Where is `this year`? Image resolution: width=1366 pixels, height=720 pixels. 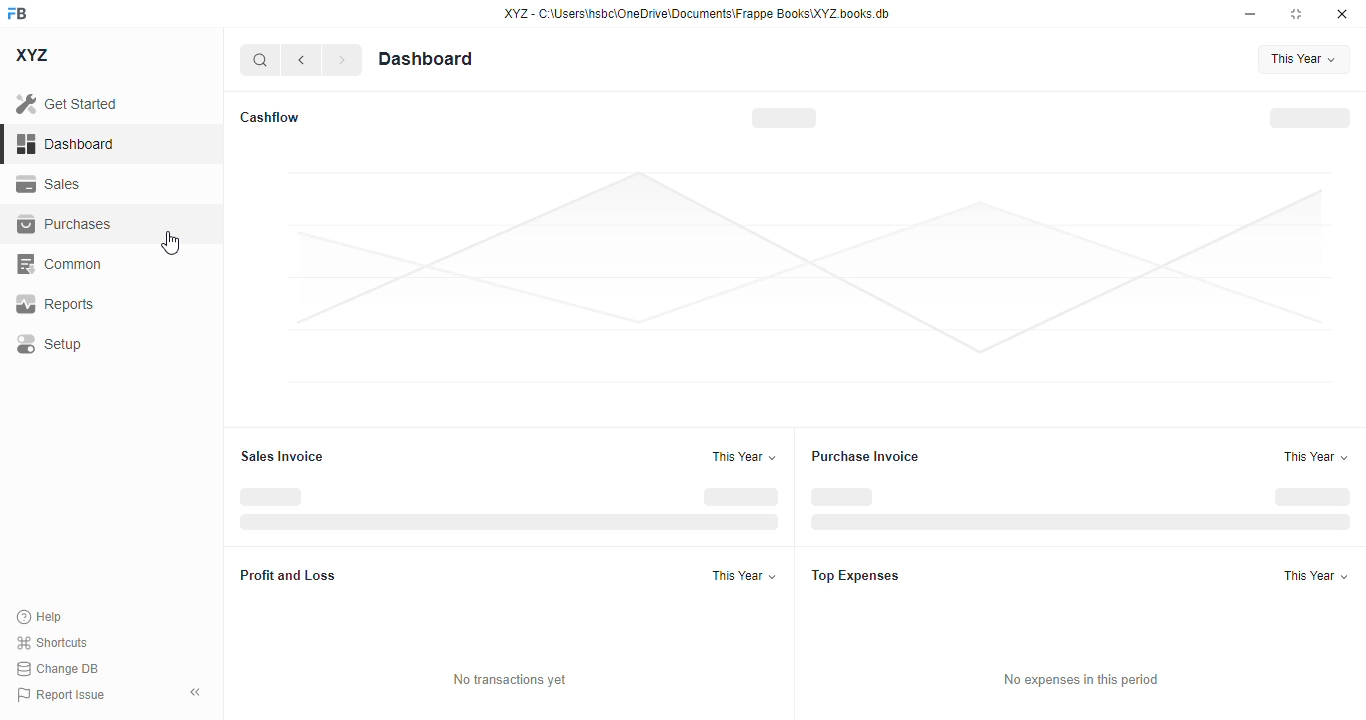
this year is located at coordinates (1317, 457).